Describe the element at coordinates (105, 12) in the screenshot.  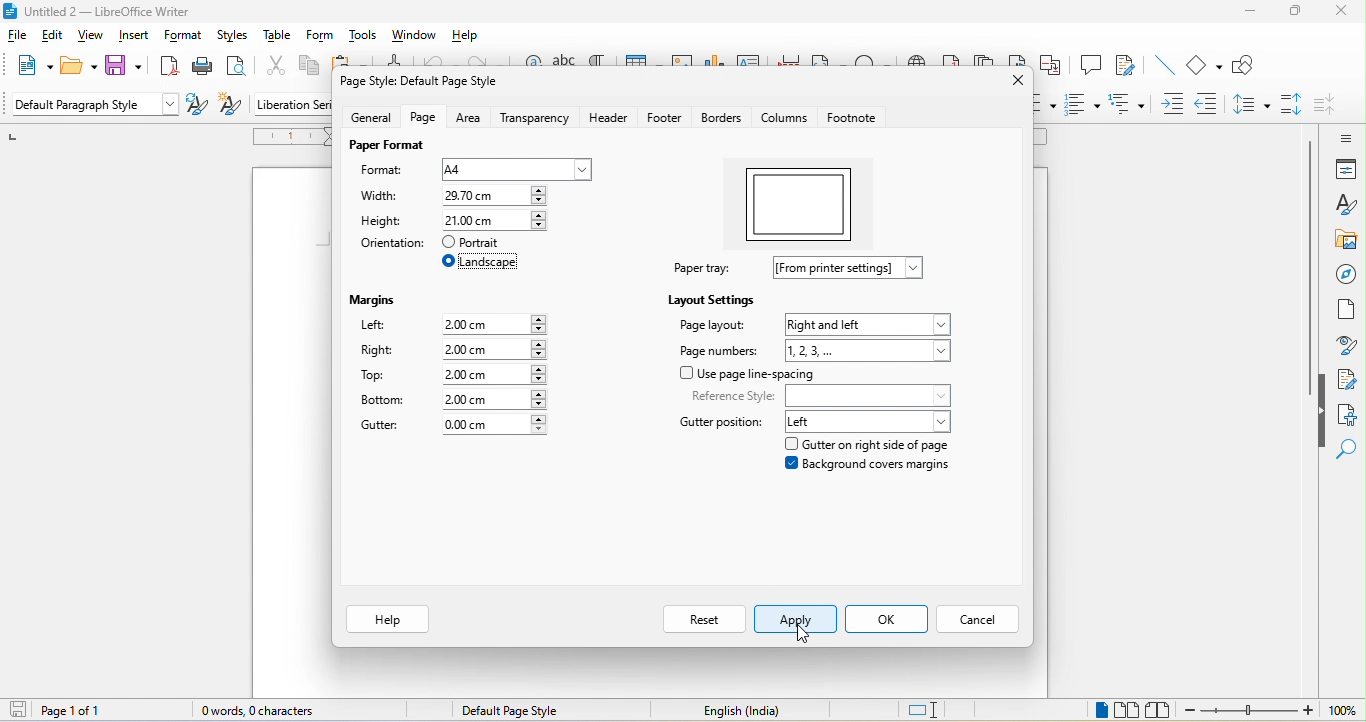
I see `title` at that location.